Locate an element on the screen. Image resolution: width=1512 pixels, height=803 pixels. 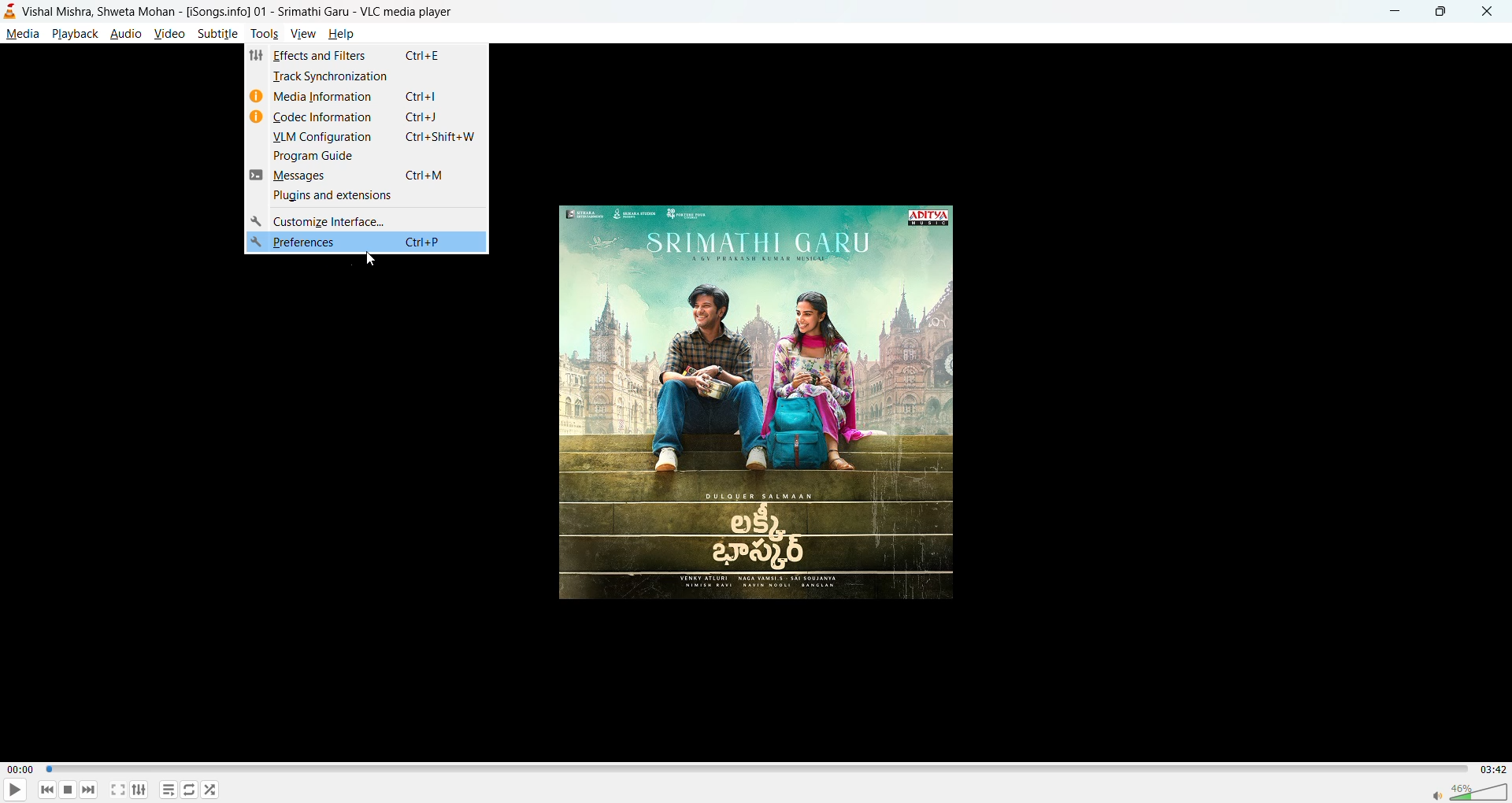
next is located at coordinates (87, 787).